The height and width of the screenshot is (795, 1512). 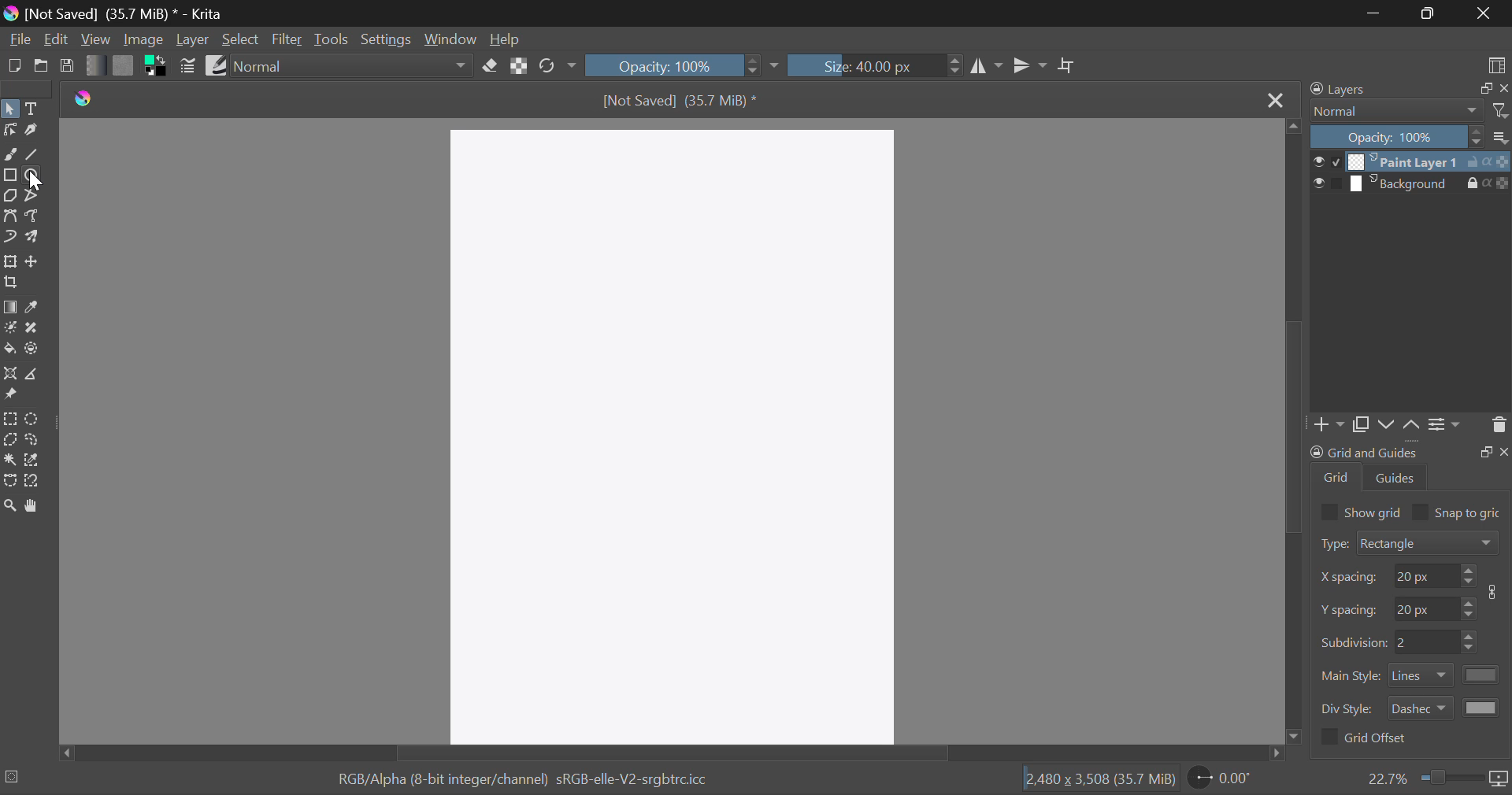 What do you see at coordinates (91, 65) in the screenshot?
I see `Gradient` at bounding box center [91, 65].